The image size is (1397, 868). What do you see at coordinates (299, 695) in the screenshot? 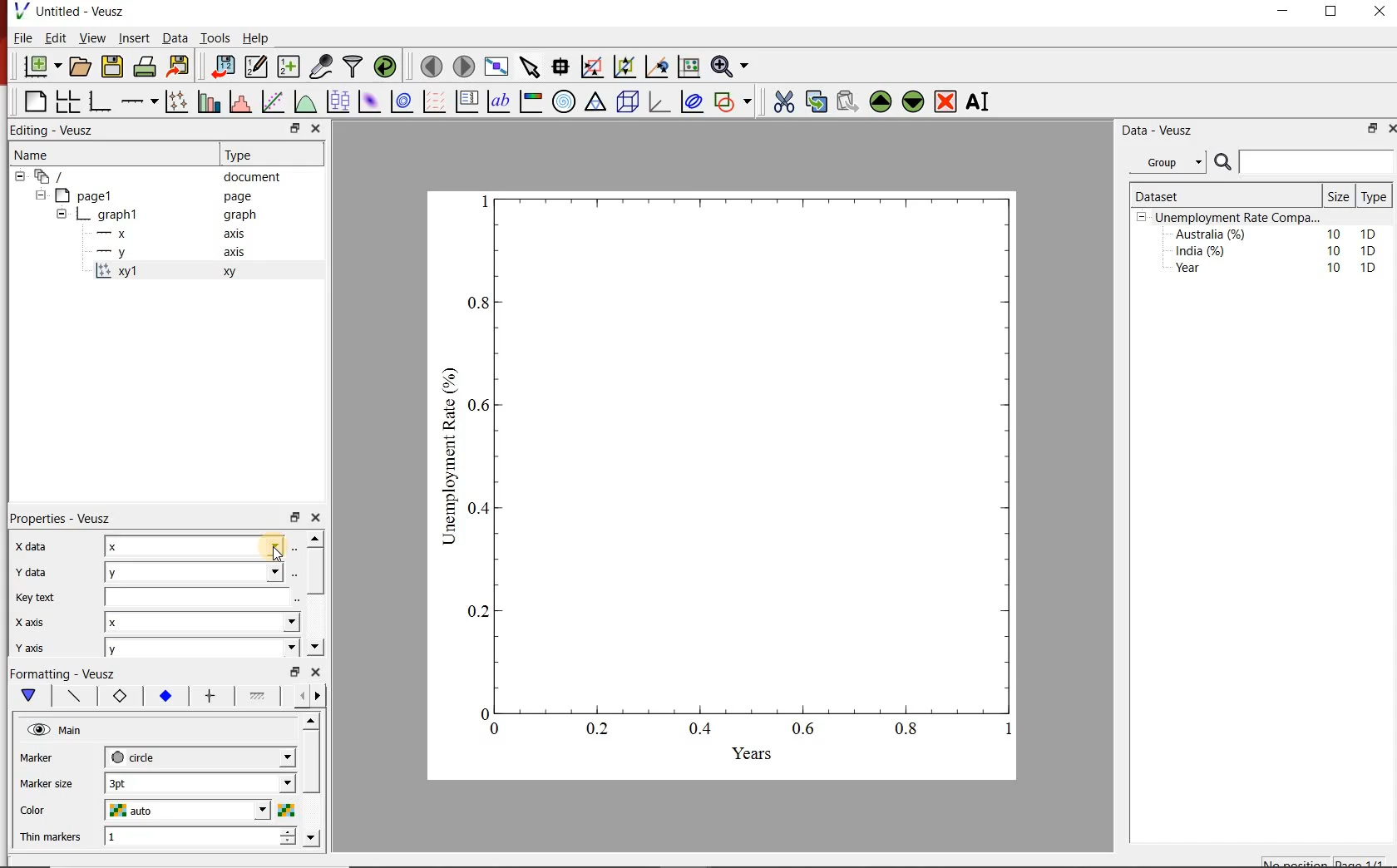
I see `more left` at bounding box center [299, 695].